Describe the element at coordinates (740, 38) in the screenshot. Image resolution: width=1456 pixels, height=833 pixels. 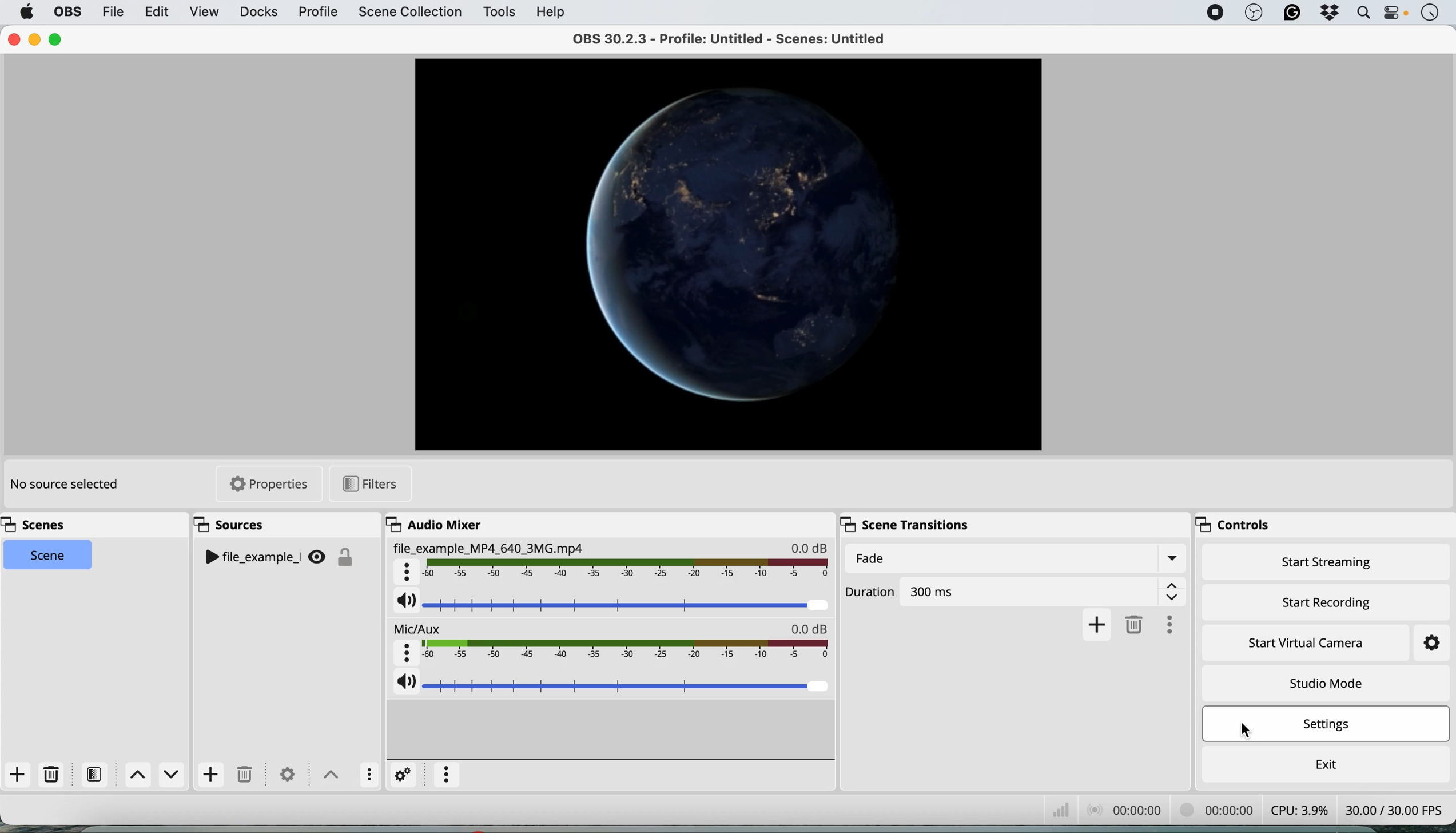
I see `project name` at that location.